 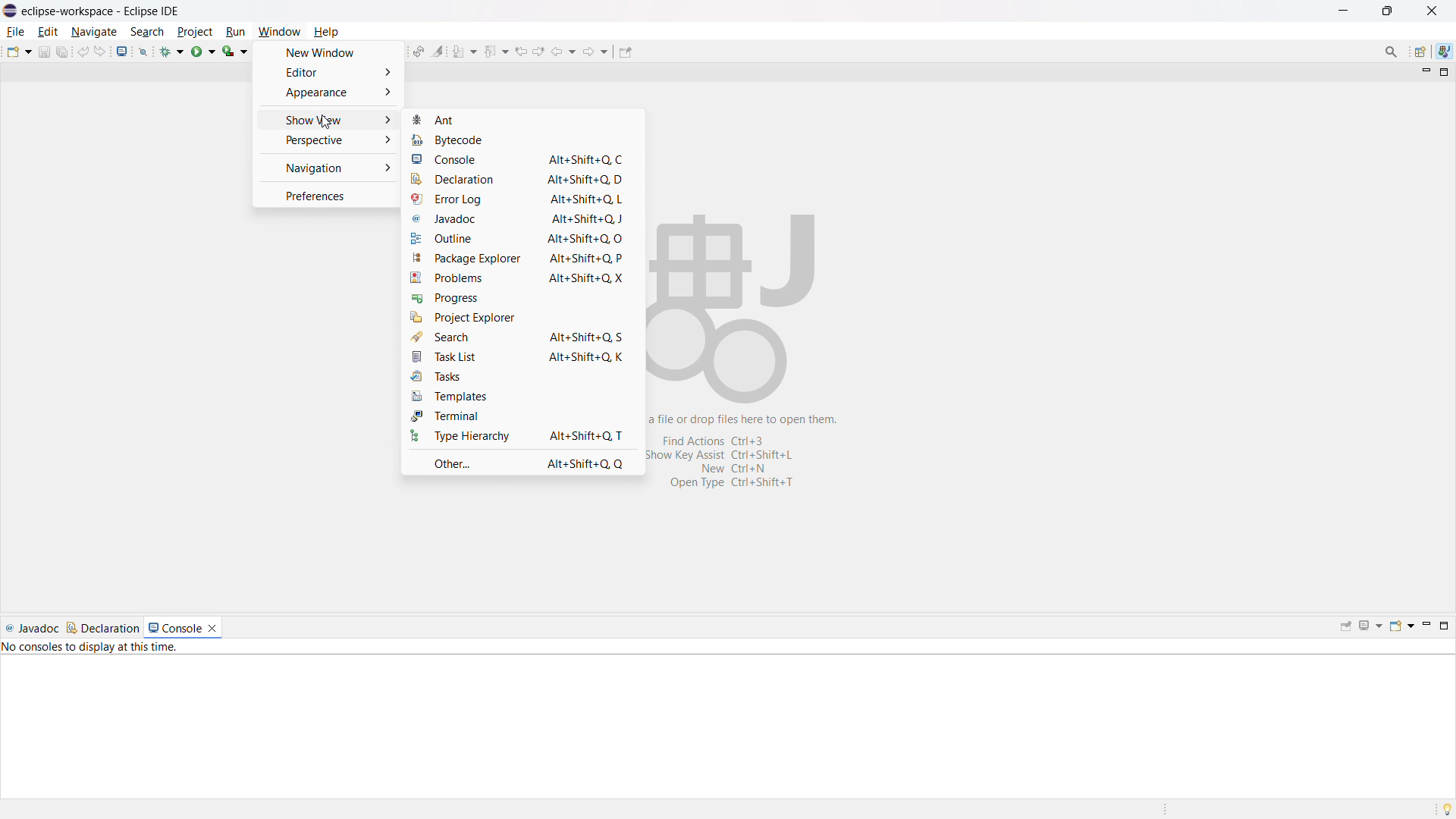 I want to click on tasks, so click(x=522, y=376).